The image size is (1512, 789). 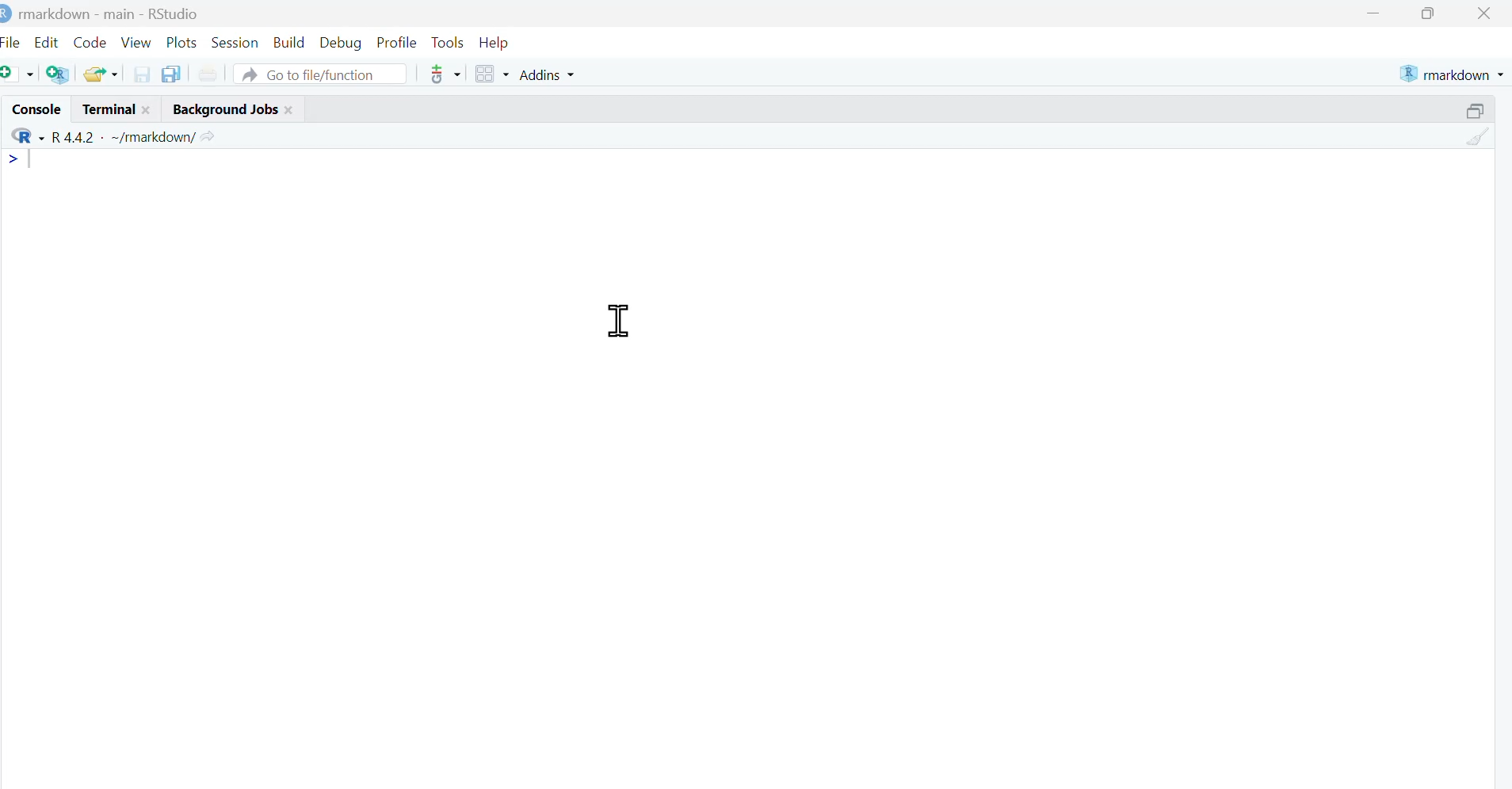 I want to click on Go to file/function, so click(x=322, y=73).